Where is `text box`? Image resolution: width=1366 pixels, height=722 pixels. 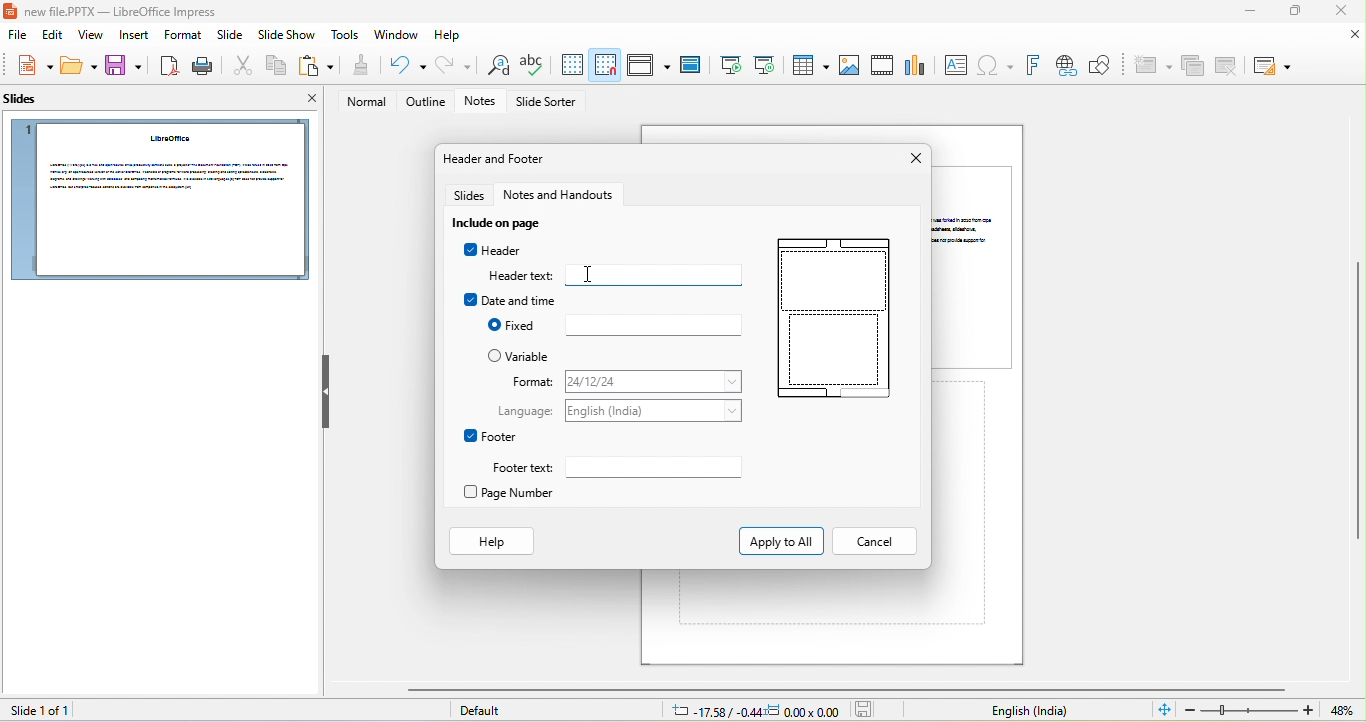
text box is located at coordinates (955, 65).